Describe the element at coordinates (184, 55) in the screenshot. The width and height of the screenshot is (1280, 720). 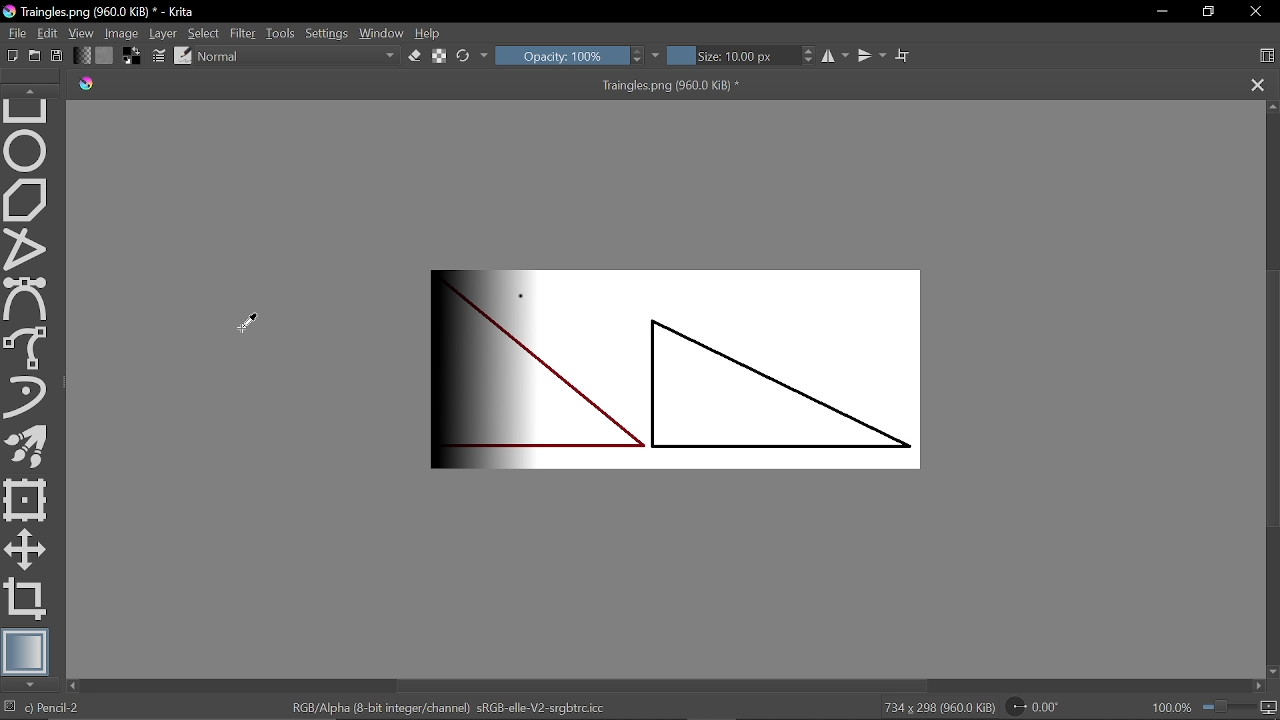
I see `edit brush preset` at that location.